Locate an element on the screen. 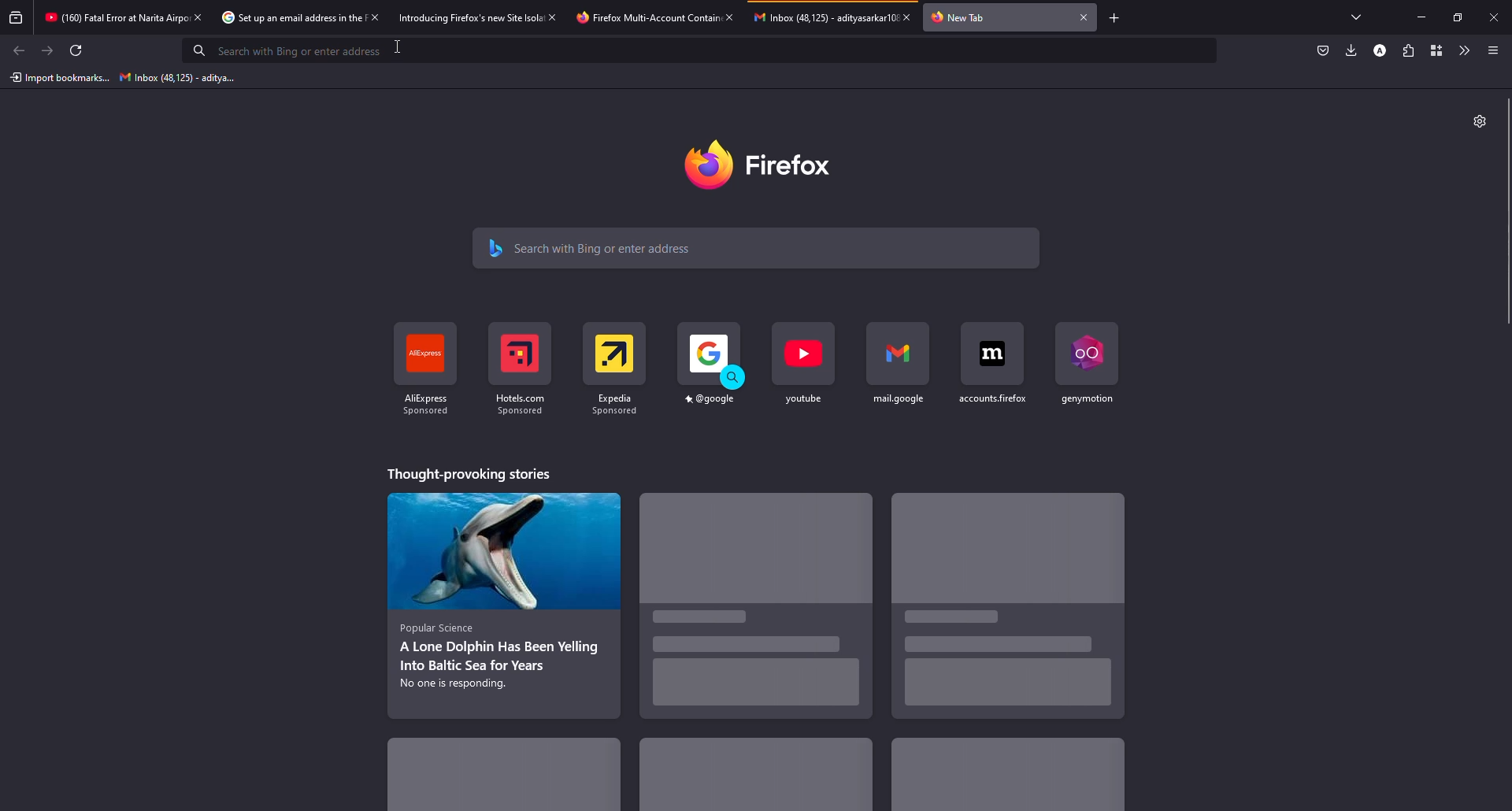 The width and height of the screenshot is (1512, 811). shortcut is located at coordinates (899, 375).